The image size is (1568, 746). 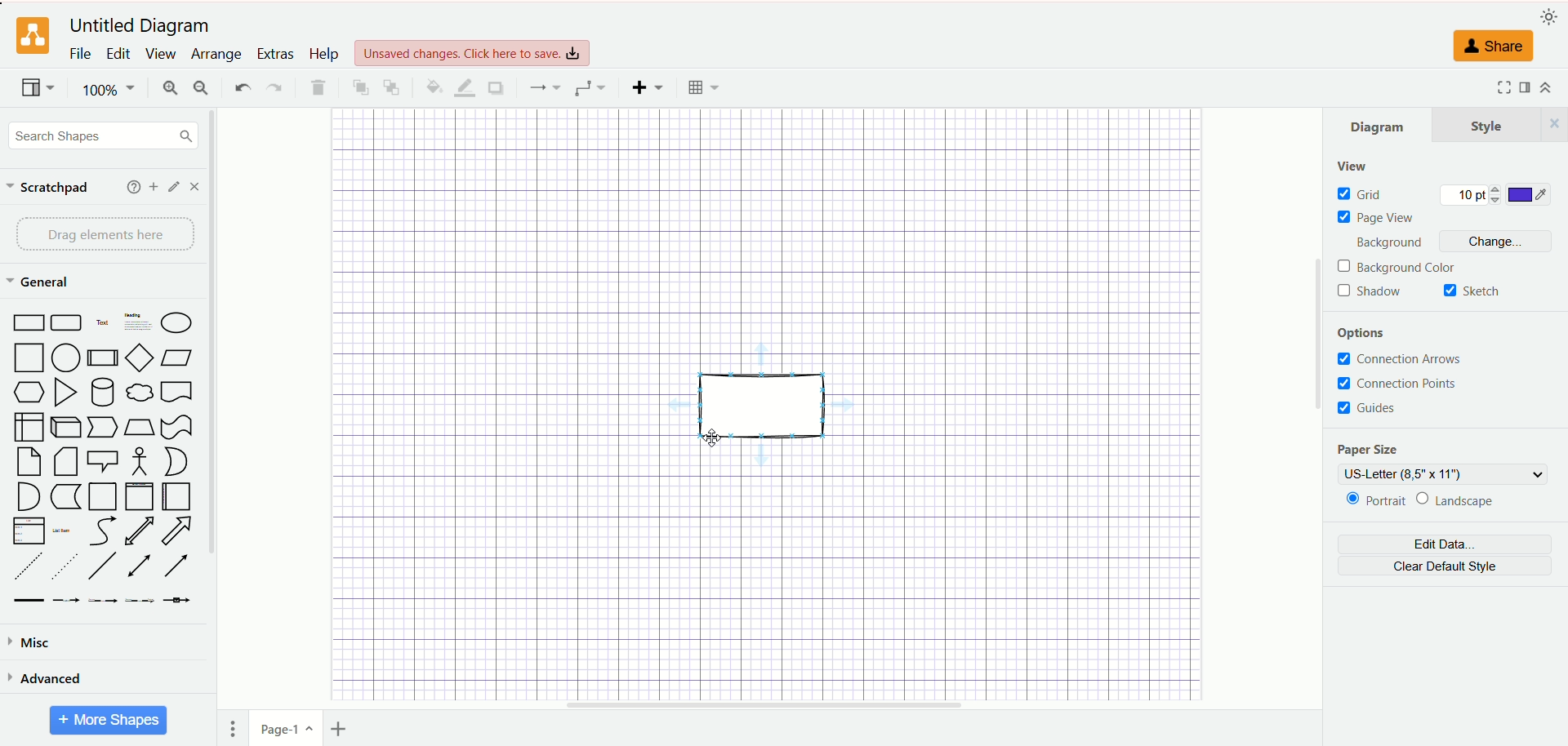 I want to click on drag elements here, so click(x=105, y=235).